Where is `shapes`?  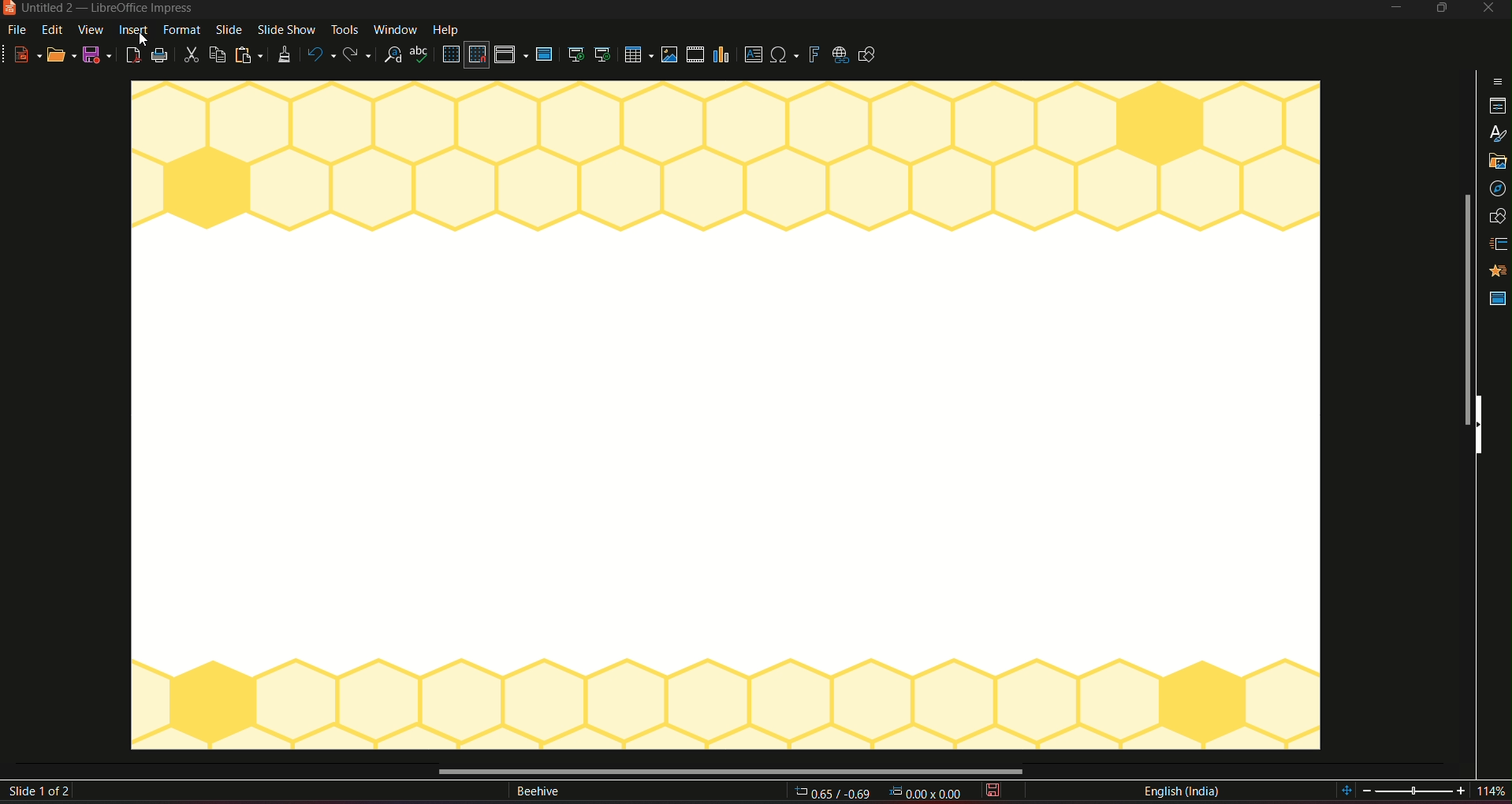 shapes is located at coordinates (1499, 216).